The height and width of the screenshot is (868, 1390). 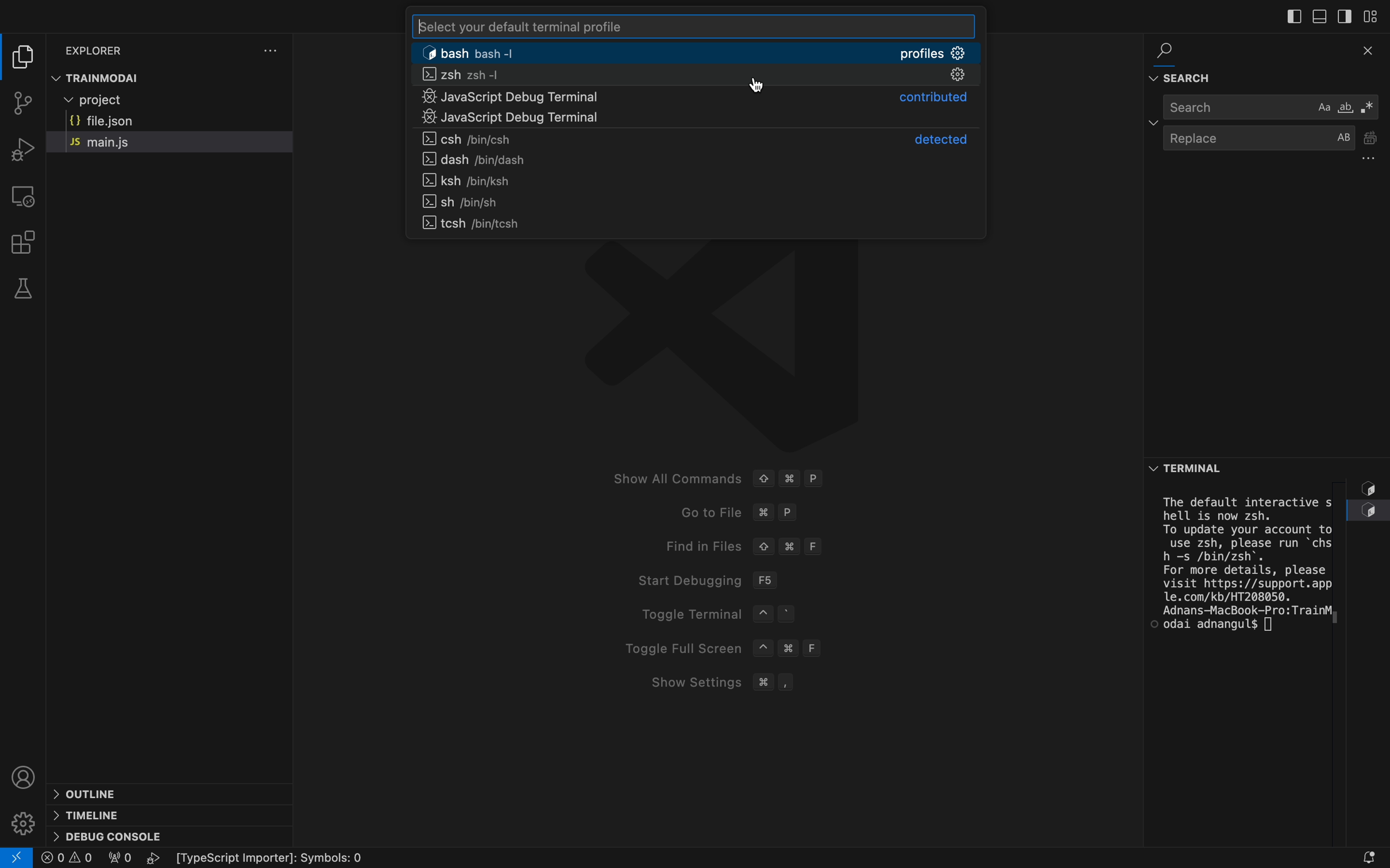 What do you see at coordinates (694, 119) in the screenshot?
I see `` at bounding box center [694, 119].